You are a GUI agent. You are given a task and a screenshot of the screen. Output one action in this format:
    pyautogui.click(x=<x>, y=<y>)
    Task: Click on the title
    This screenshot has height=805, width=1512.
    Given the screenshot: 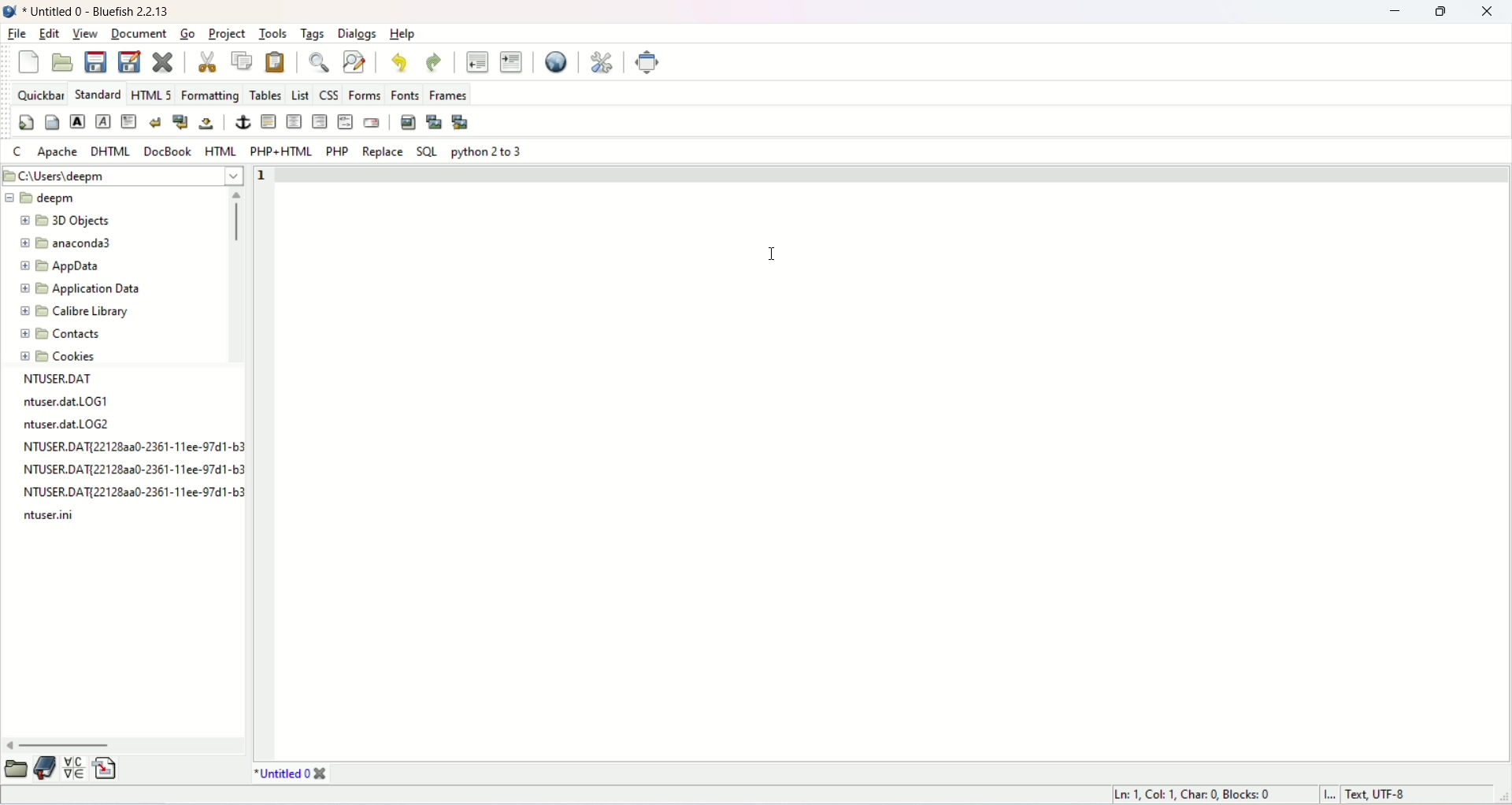 What is the action you would take?
    pyautogui.click(x=113, y=9)
    